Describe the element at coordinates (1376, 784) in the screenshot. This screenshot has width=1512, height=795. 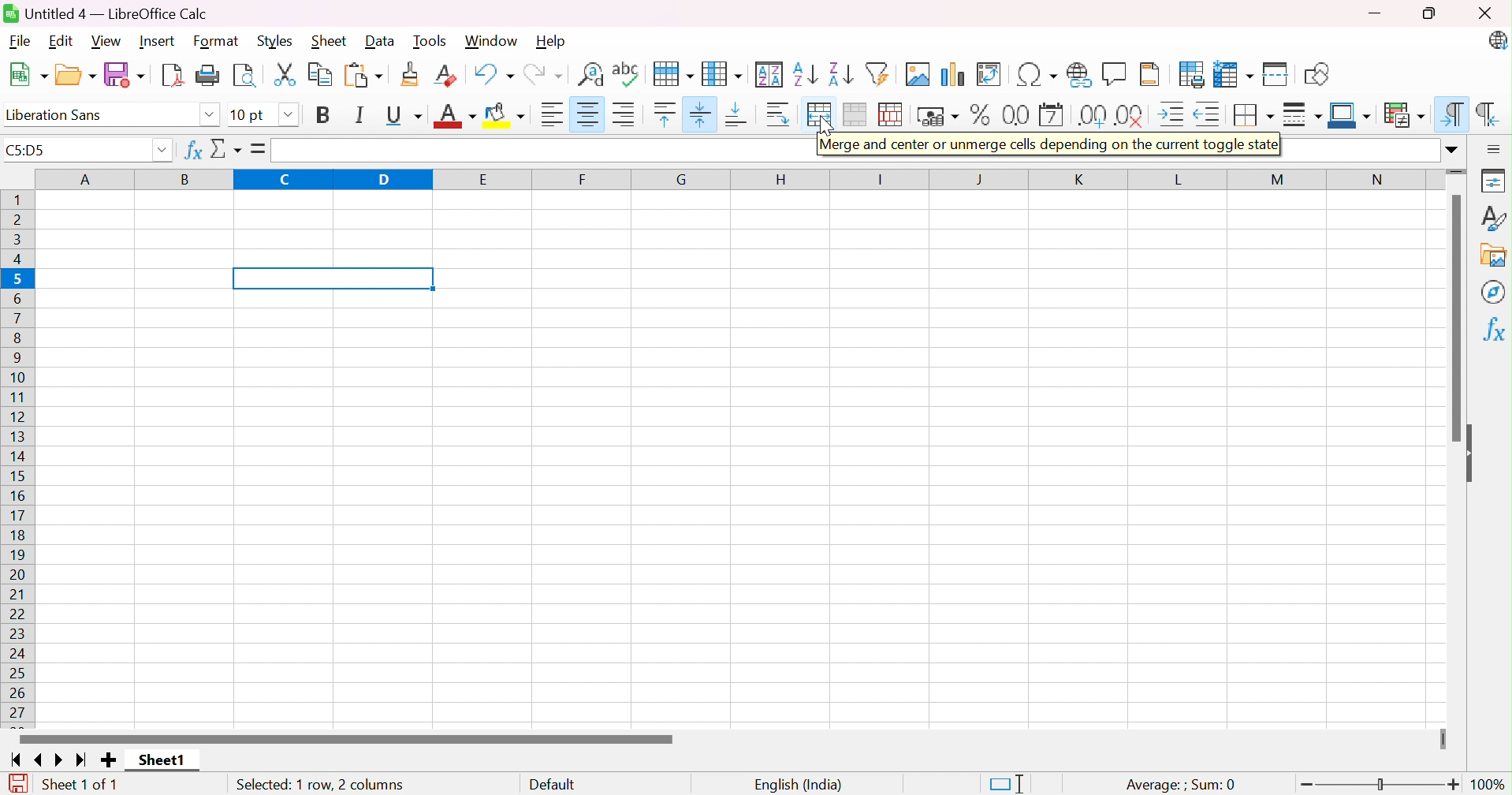
I see `Slider` at that location.